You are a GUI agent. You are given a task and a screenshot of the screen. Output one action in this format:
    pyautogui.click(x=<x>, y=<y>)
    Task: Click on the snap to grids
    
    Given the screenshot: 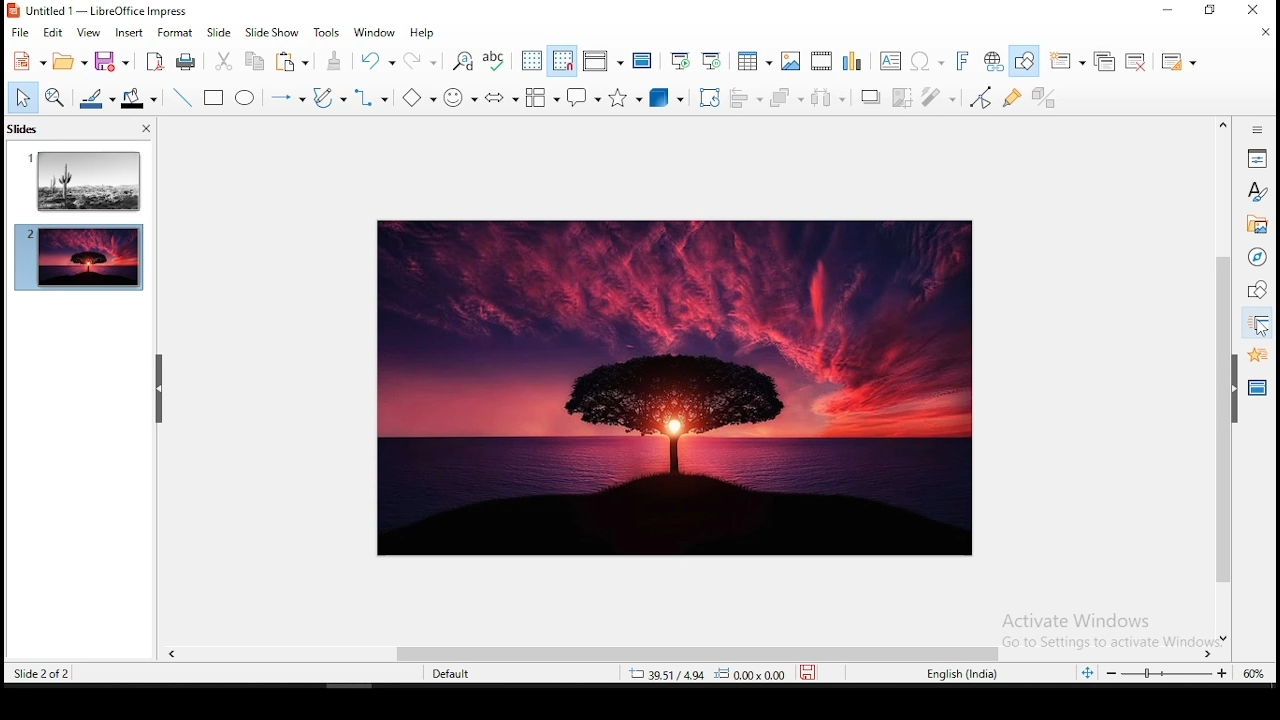 What is the action you would take?
    pyautogui.click(x=563, y=61)
    